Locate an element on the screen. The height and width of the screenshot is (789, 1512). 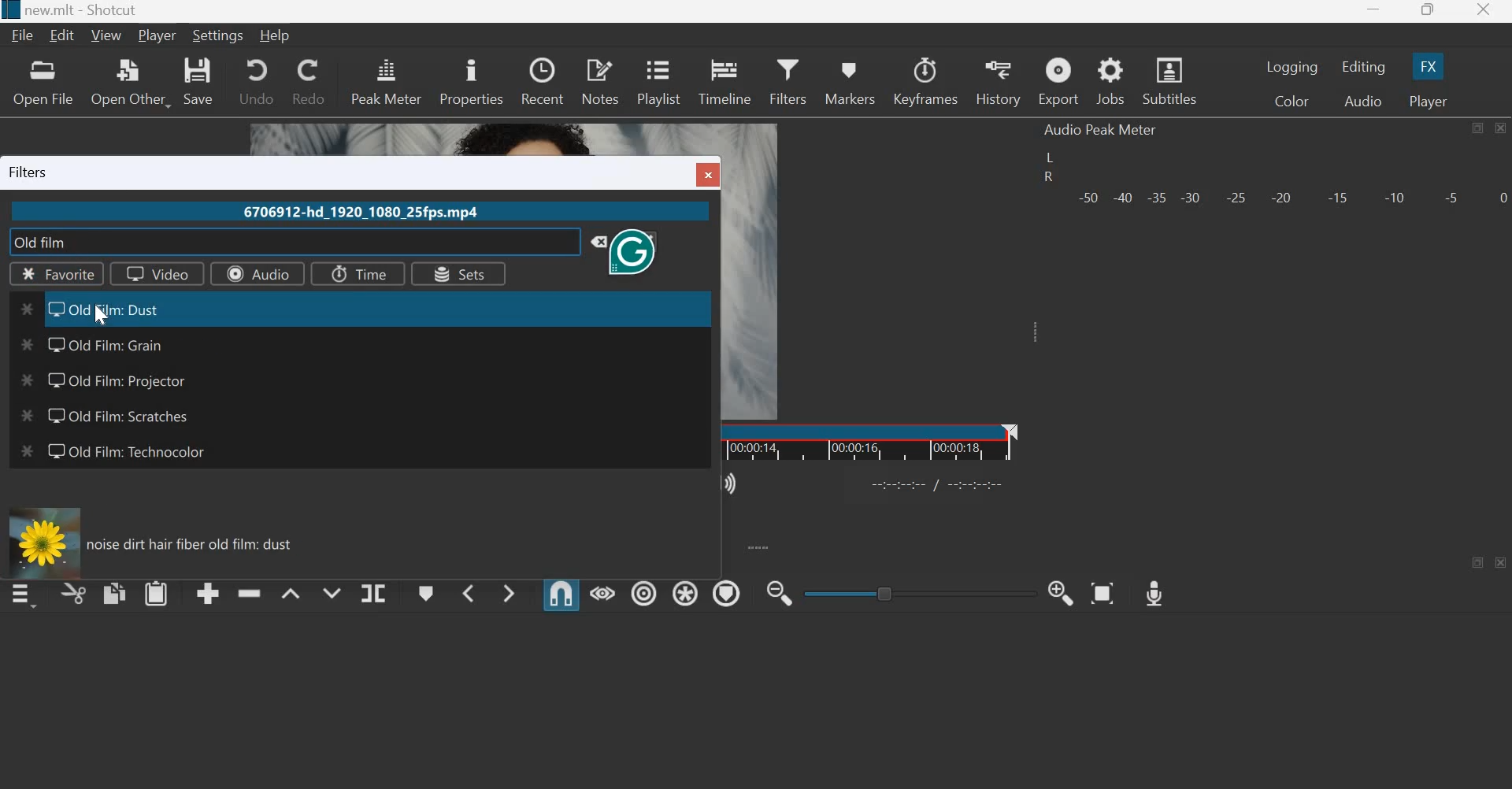
Grammarly is located at coordinates (618, 253).